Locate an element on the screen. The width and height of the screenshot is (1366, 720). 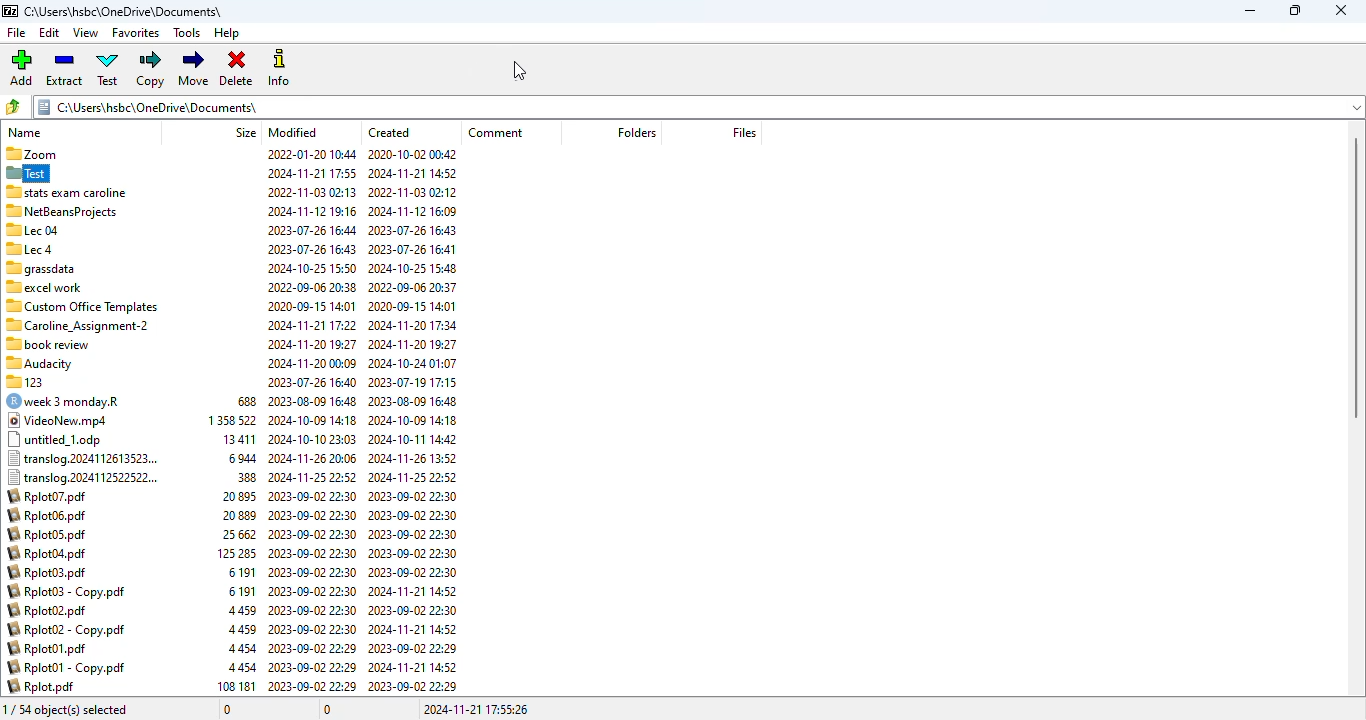
2023-09-02 22:30 is located at coordinates (414, 515).